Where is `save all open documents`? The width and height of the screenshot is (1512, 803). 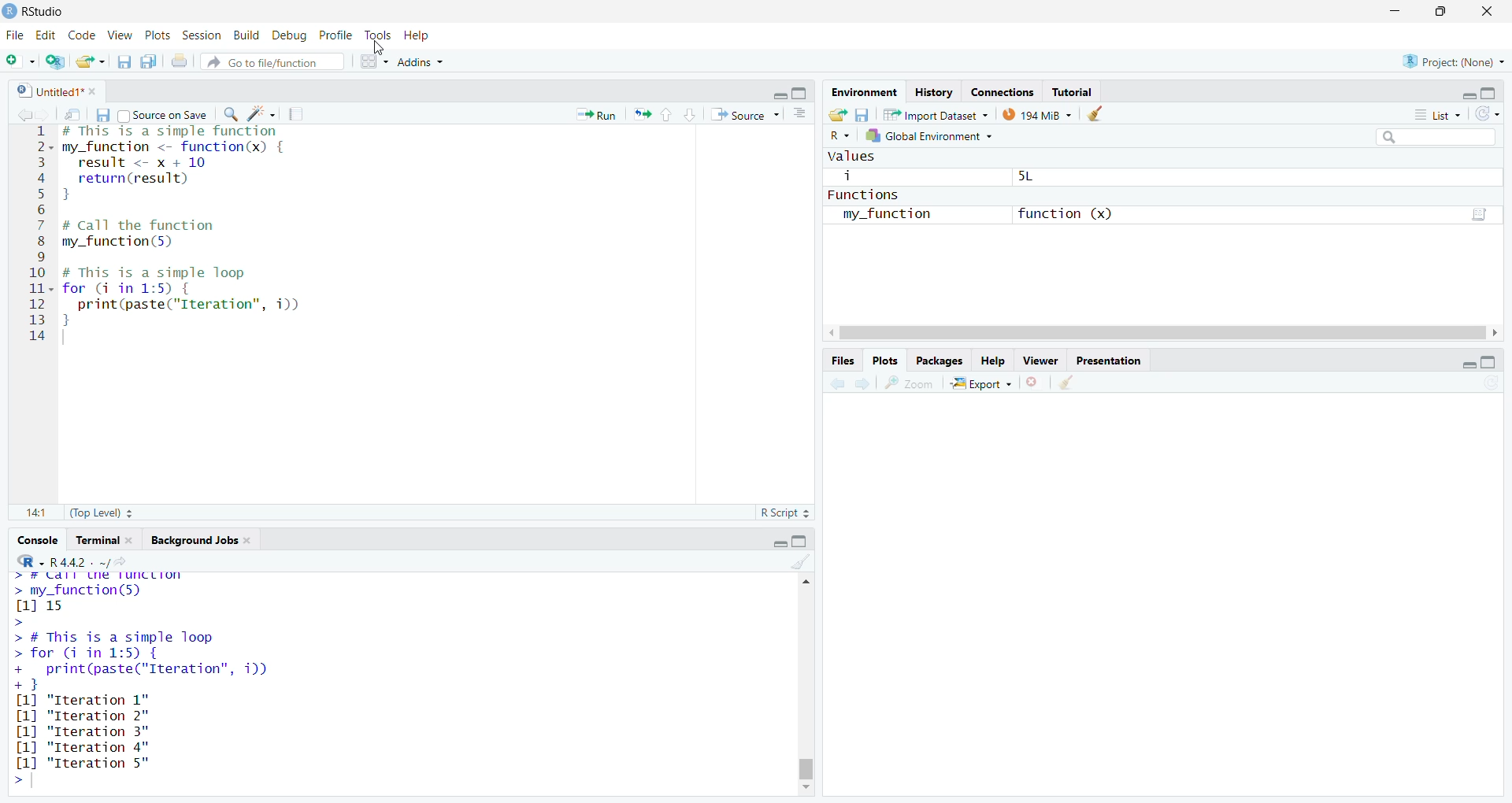 save all open documents is located at coordinates (149, 61).